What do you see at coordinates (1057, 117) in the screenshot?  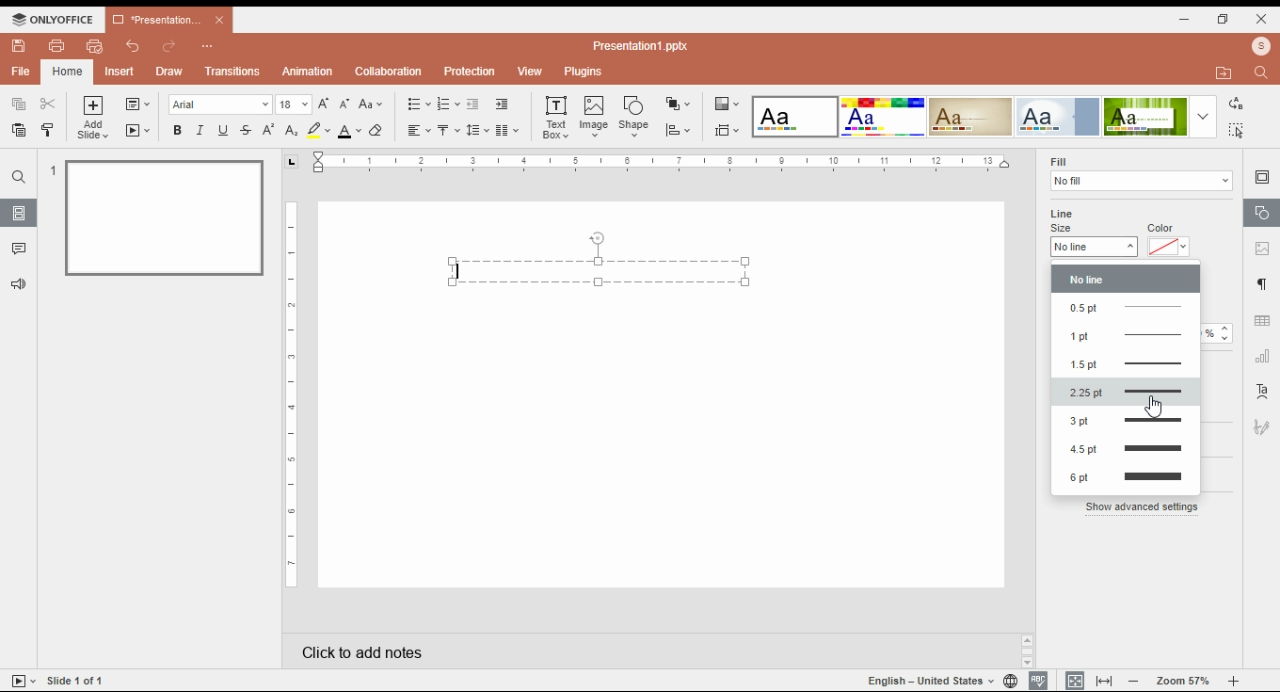 I see `color theme` at bounding box center [1057, 117].